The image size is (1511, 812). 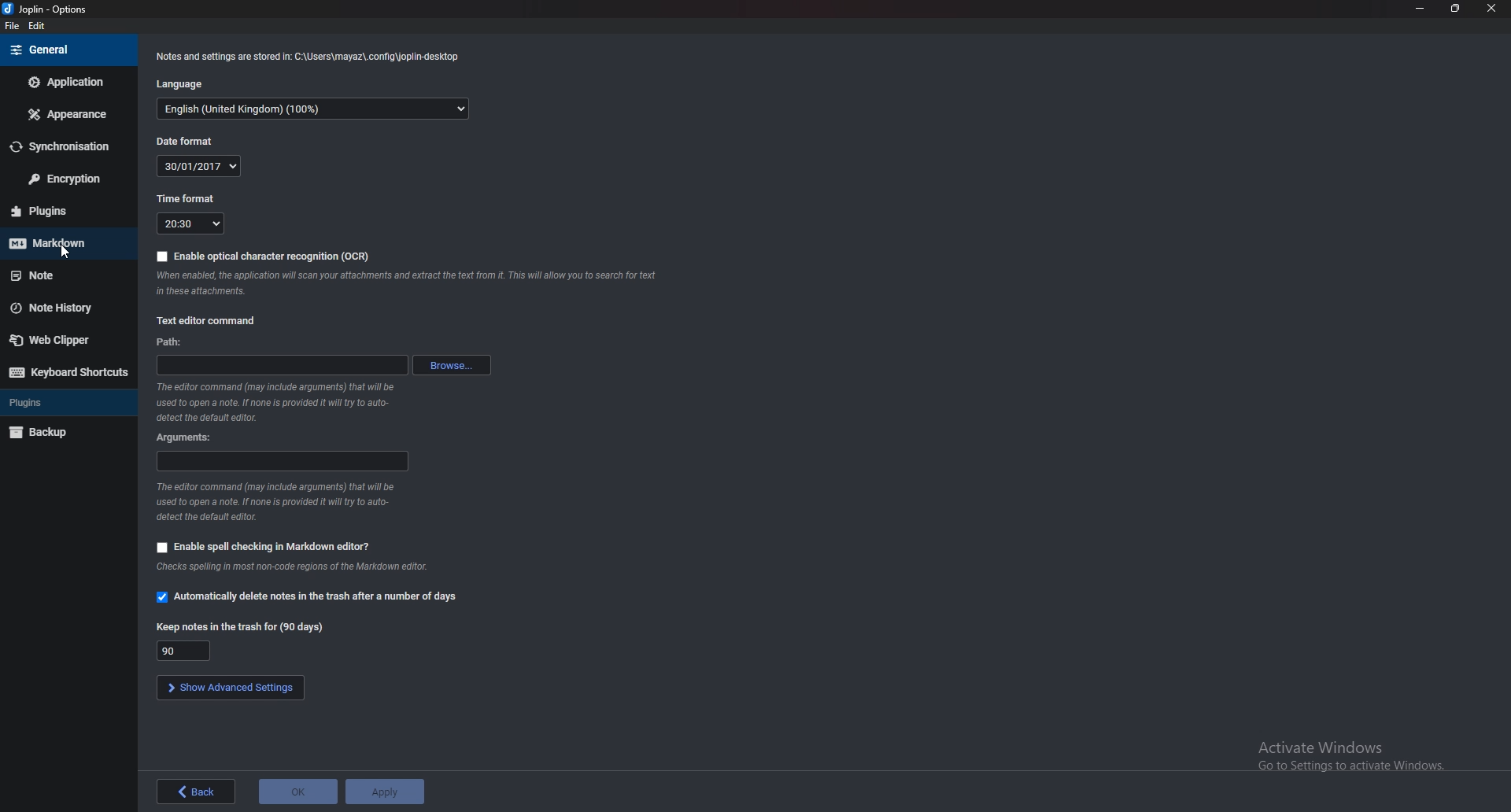 What do you see at coordinates (264, 257) in the screenshot?
I see `Enable OCR` at bounding box center [264, 257].